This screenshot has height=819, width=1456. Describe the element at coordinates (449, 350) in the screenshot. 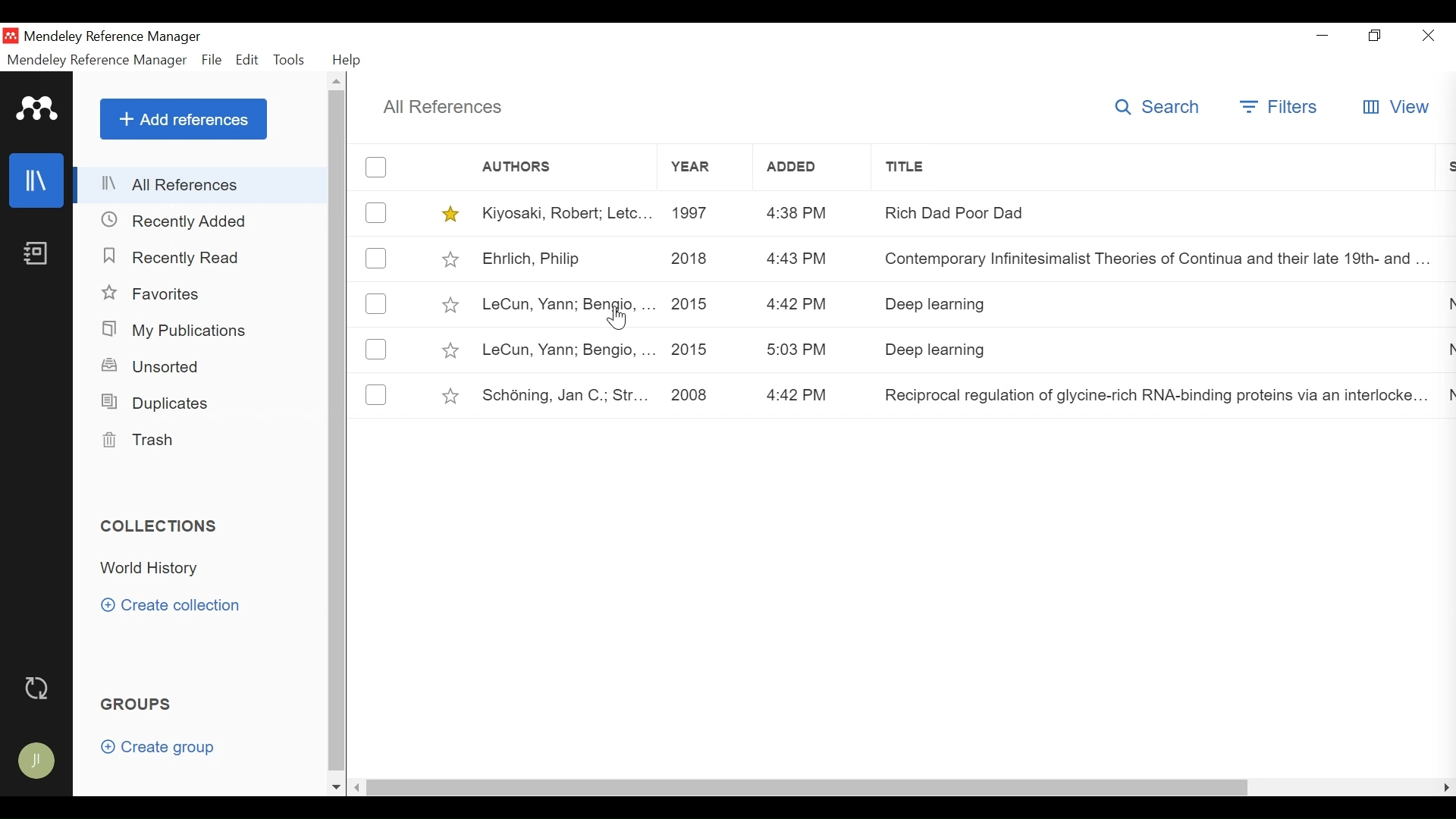

I see `Toggle Favorites` at that location.